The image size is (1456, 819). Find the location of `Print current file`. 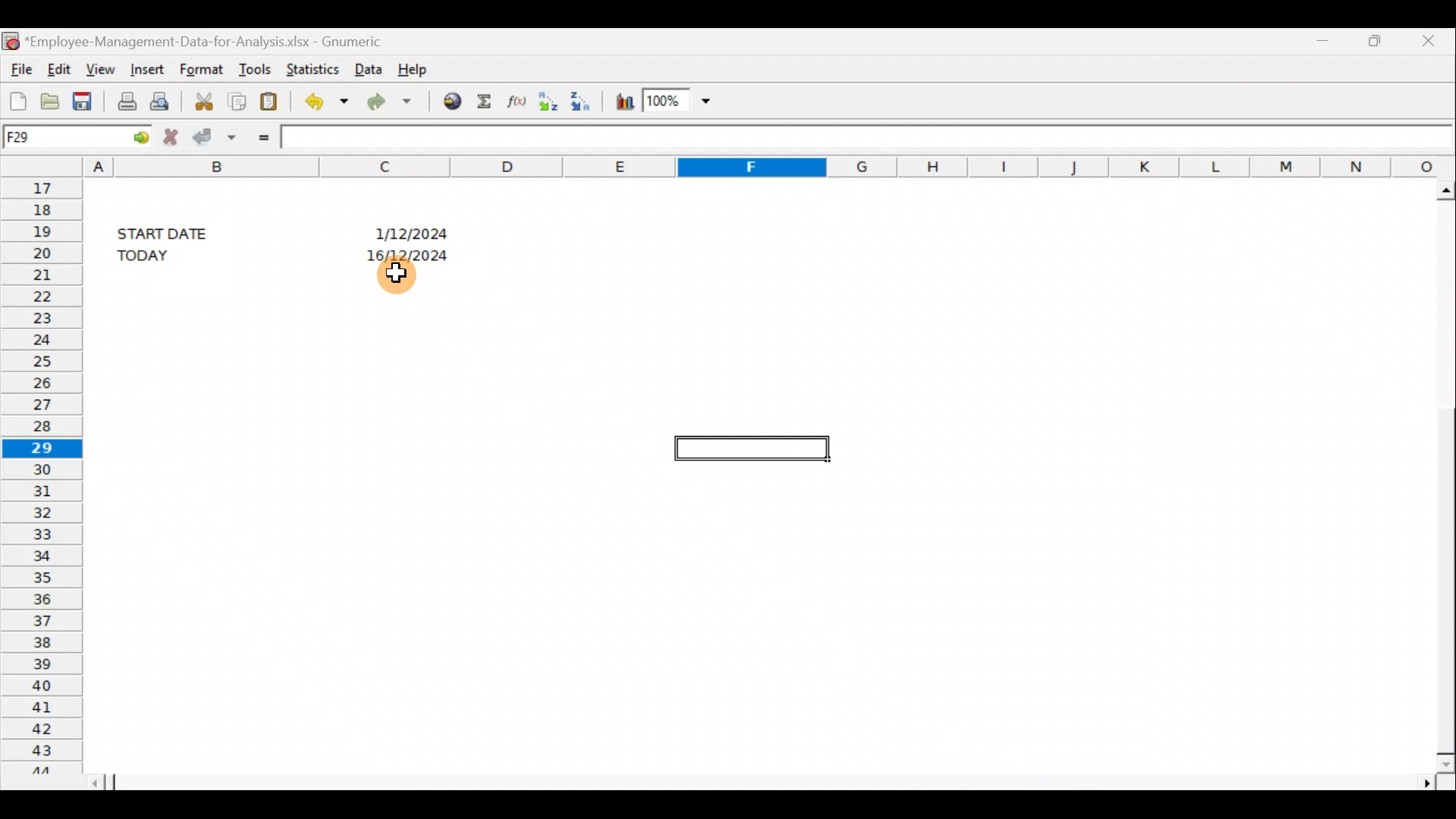

Print current file is located at coordinates (124, 100).